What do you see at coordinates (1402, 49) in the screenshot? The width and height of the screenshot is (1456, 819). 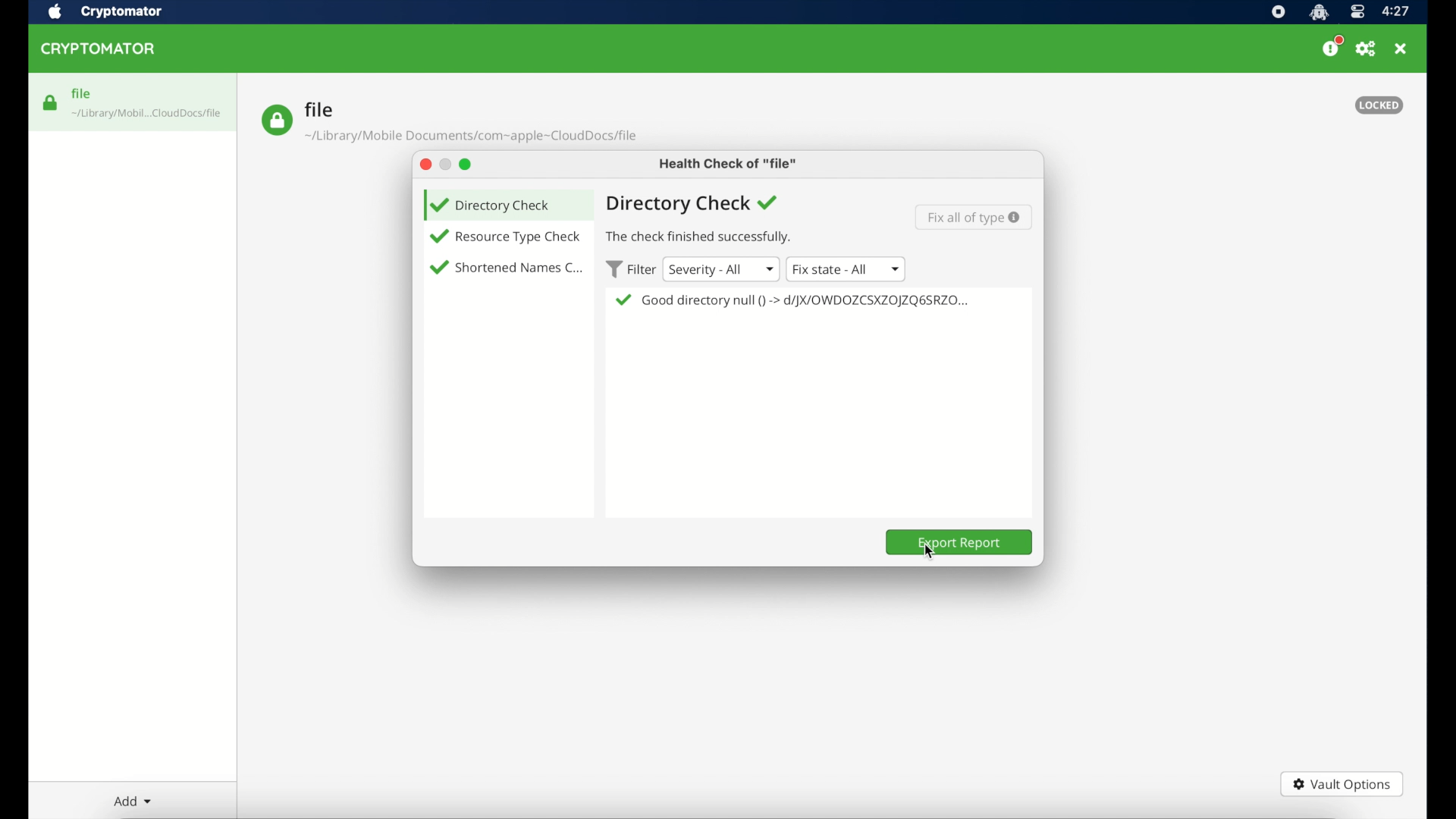 I see `close` at bounding box center [1402, 49].